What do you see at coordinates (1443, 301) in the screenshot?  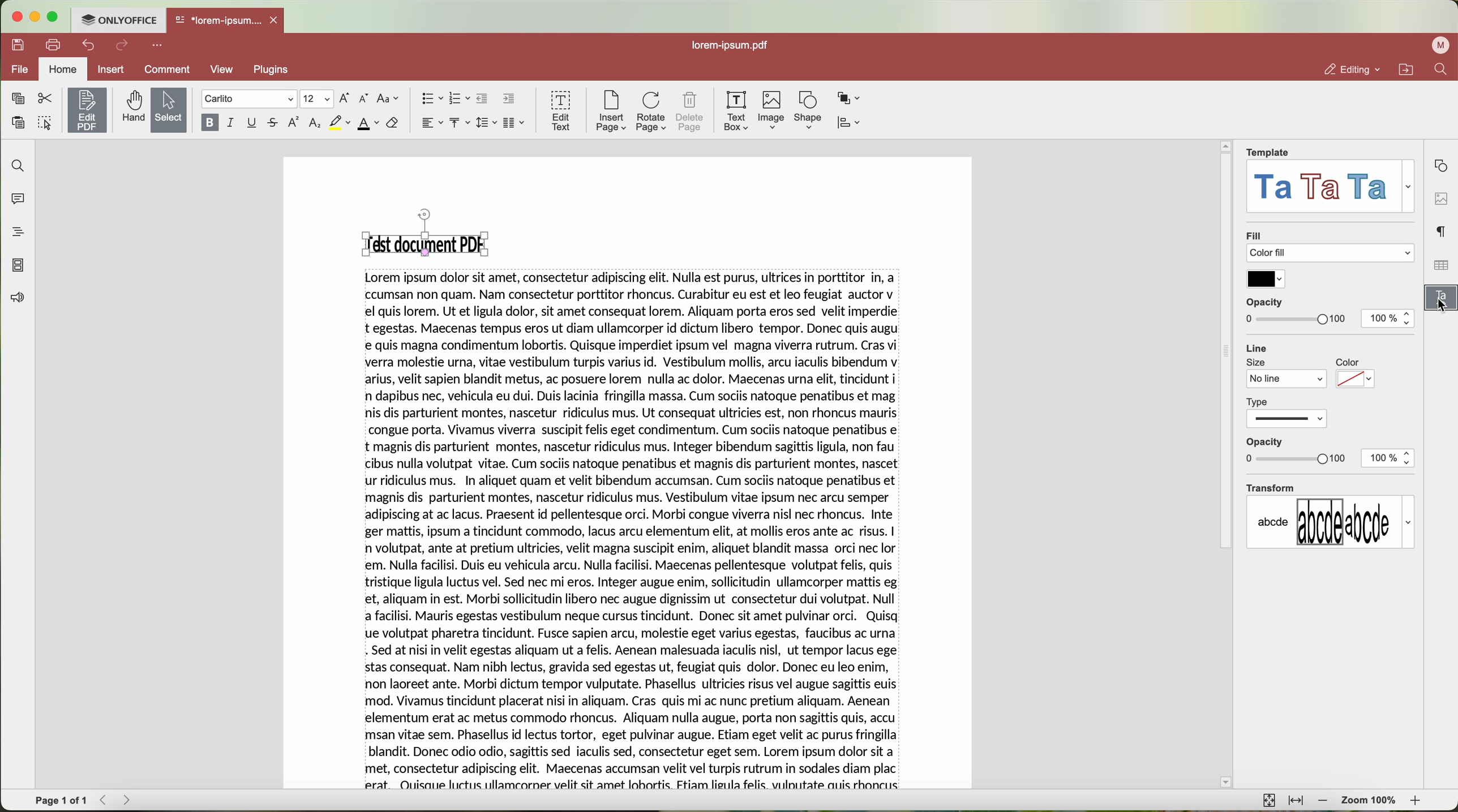 I see `text art settings` at bounding box center [1443, 301].